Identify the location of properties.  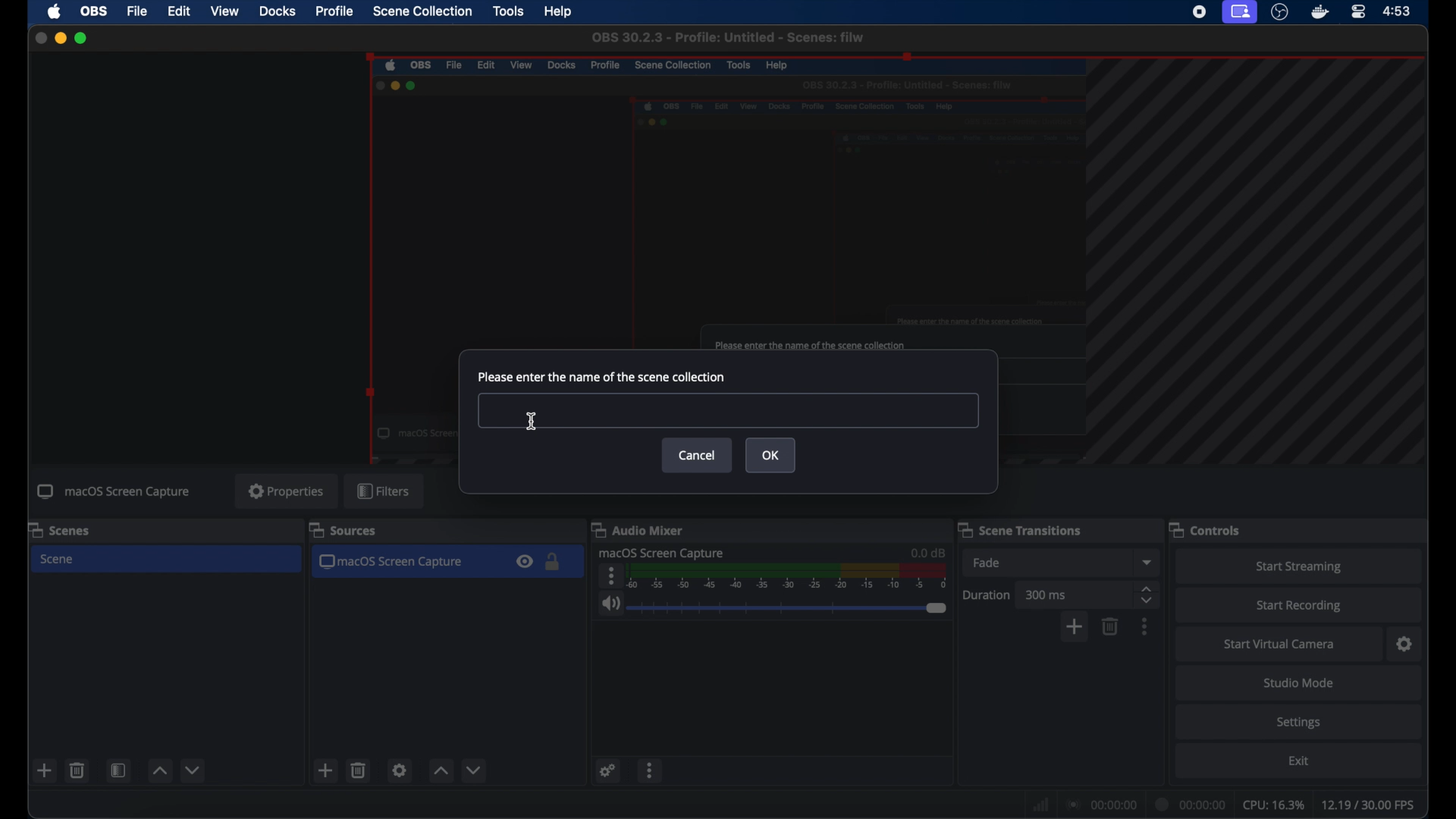
(286, 491).